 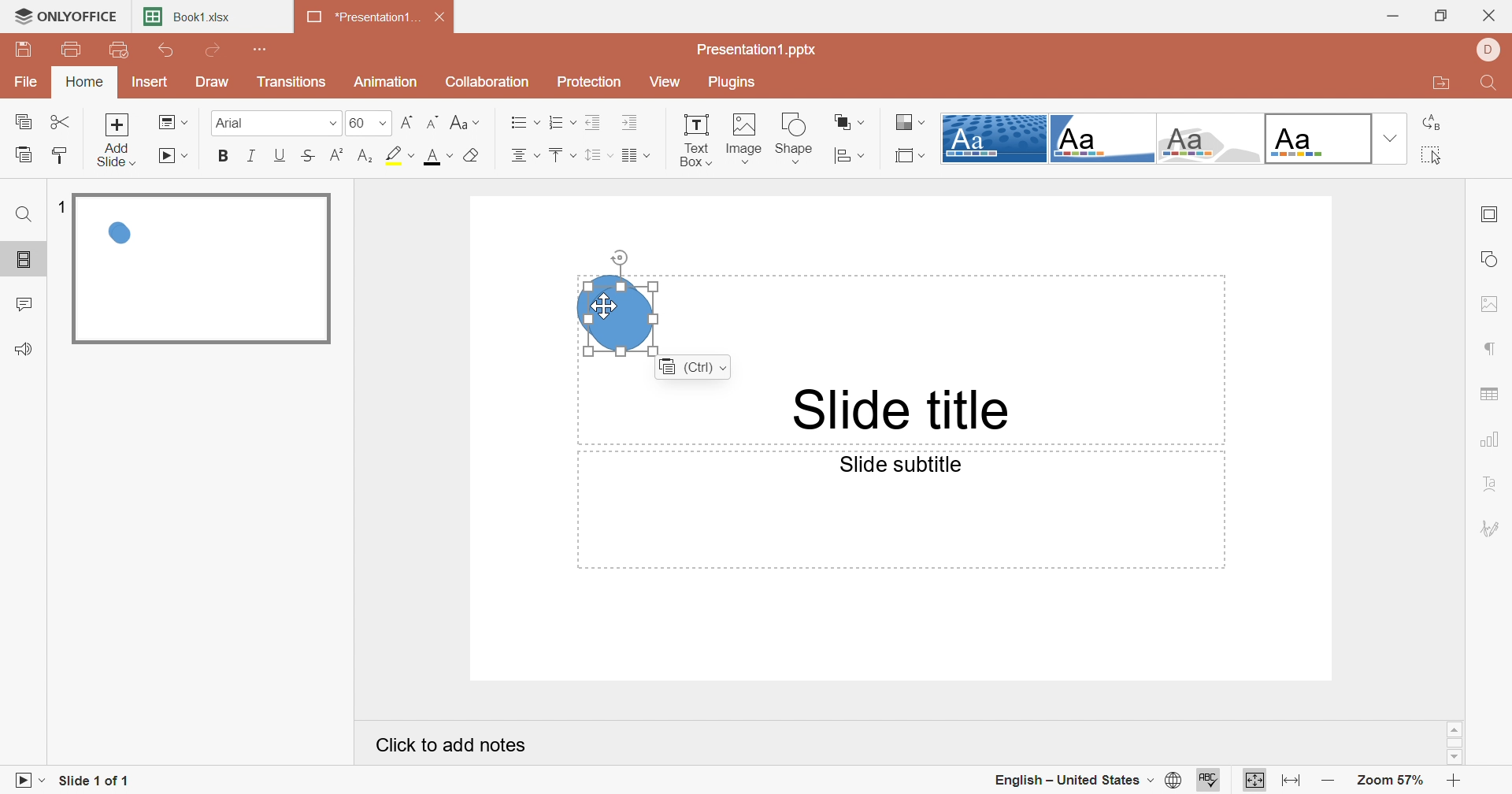 I want to click on Feedback & Support, so click(x=22, y=350).